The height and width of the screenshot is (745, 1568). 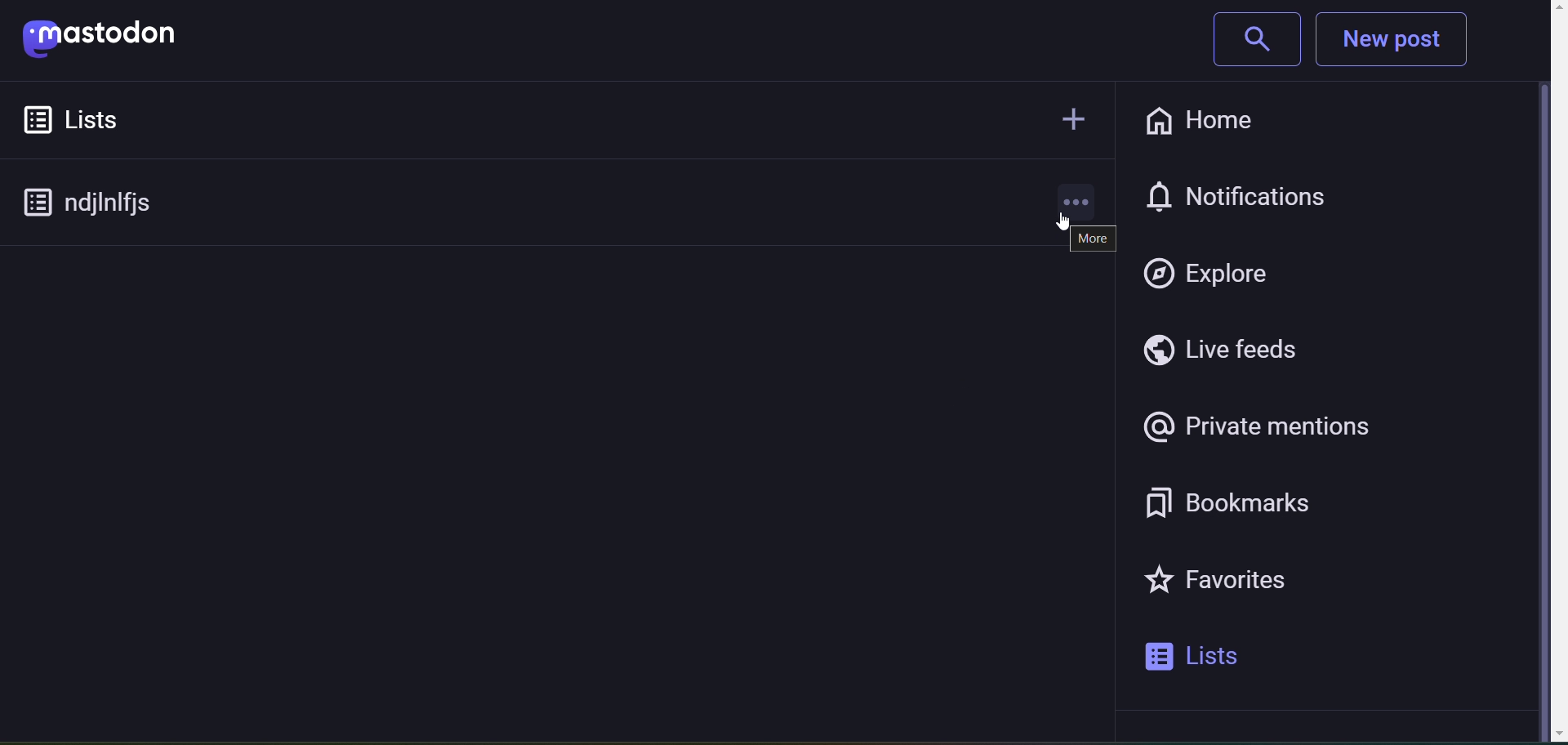 I want to click on lists , so click(x=99, y=119).